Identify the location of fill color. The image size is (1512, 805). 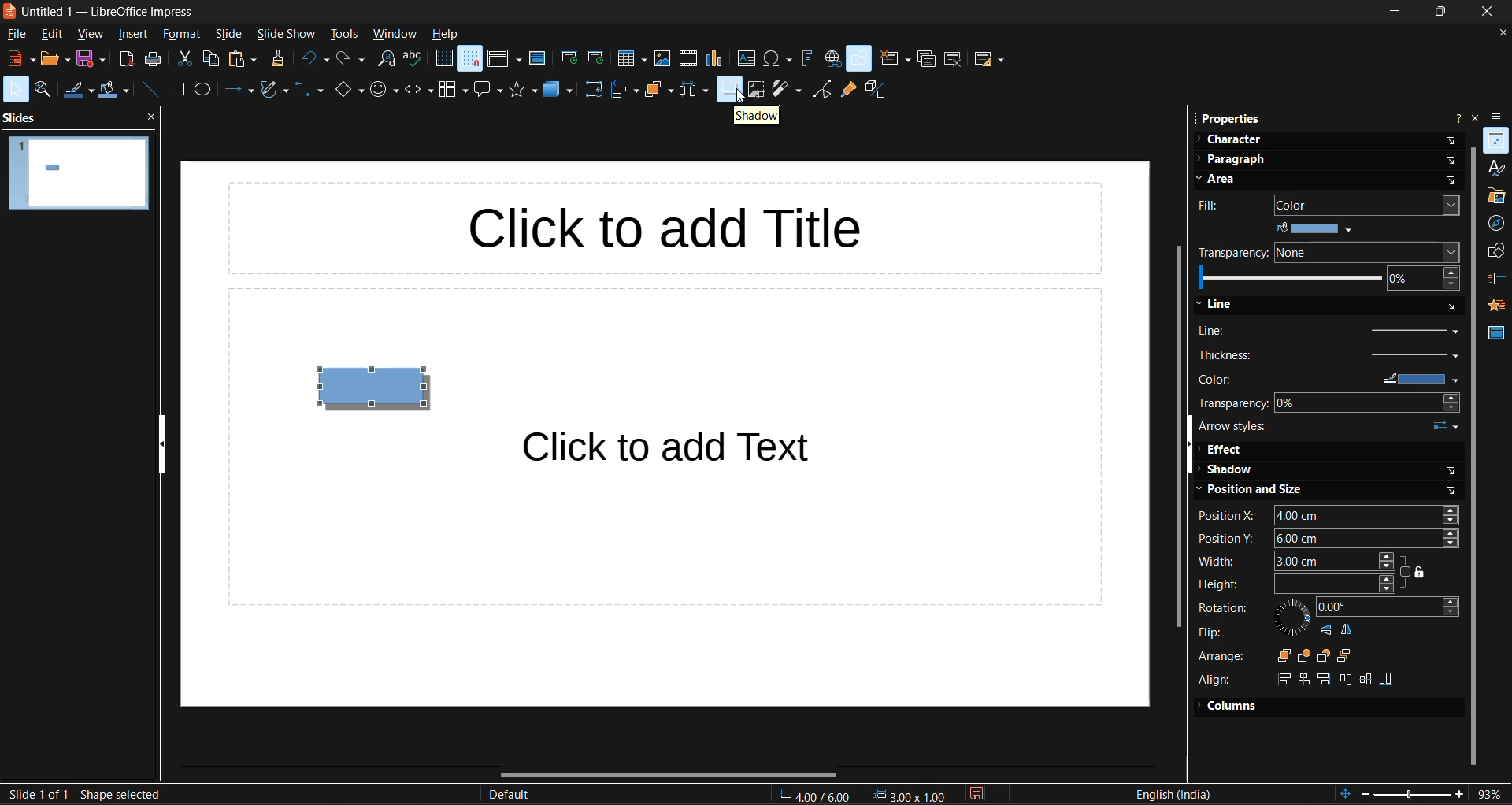
(112, 91).